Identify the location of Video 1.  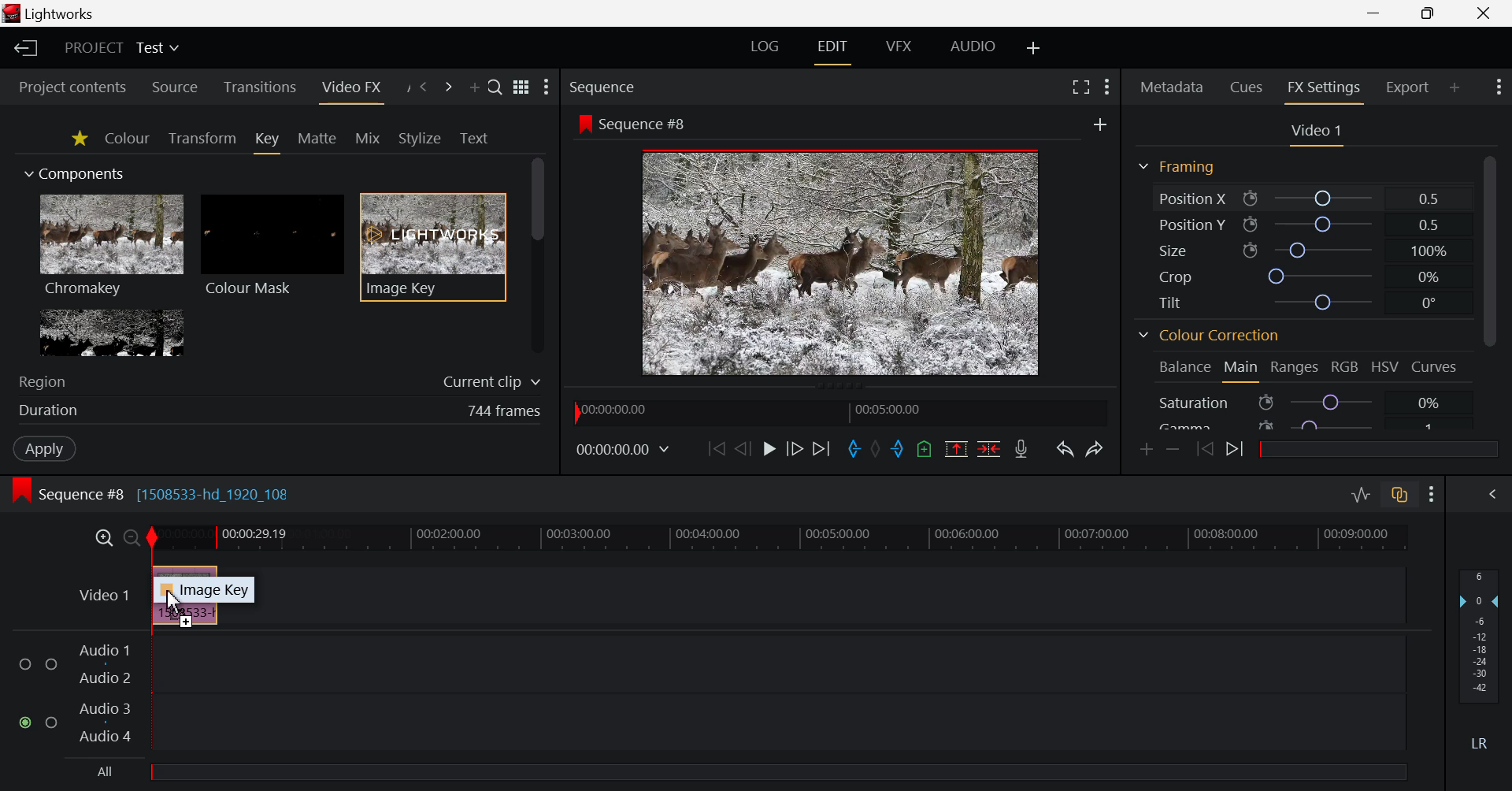
(98, 596).